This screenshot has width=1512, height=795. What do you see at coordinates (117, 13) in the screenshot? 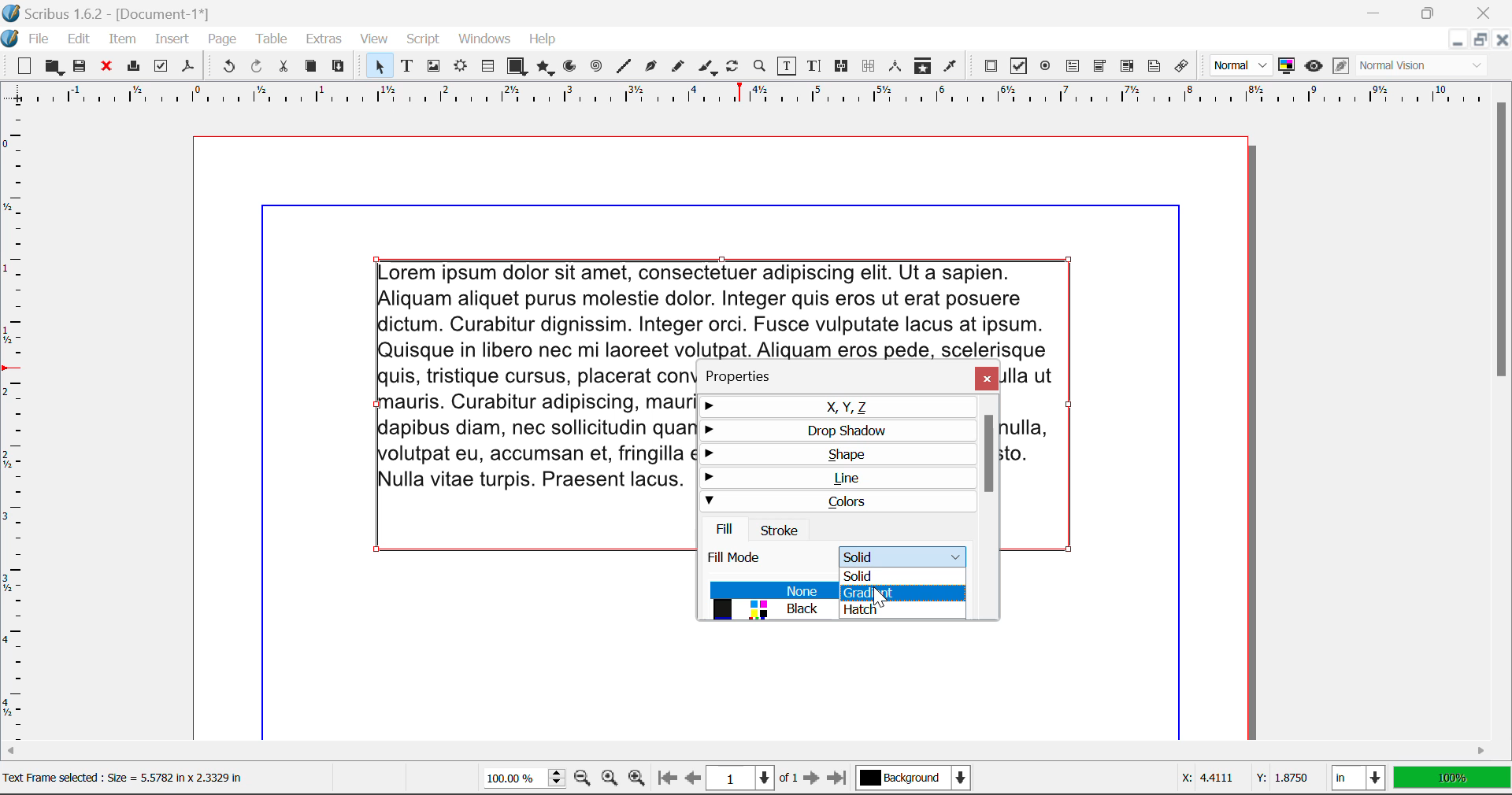
I see `Scribus 1.6.2 - [Document-1*]` at bounding box center [117, 13].